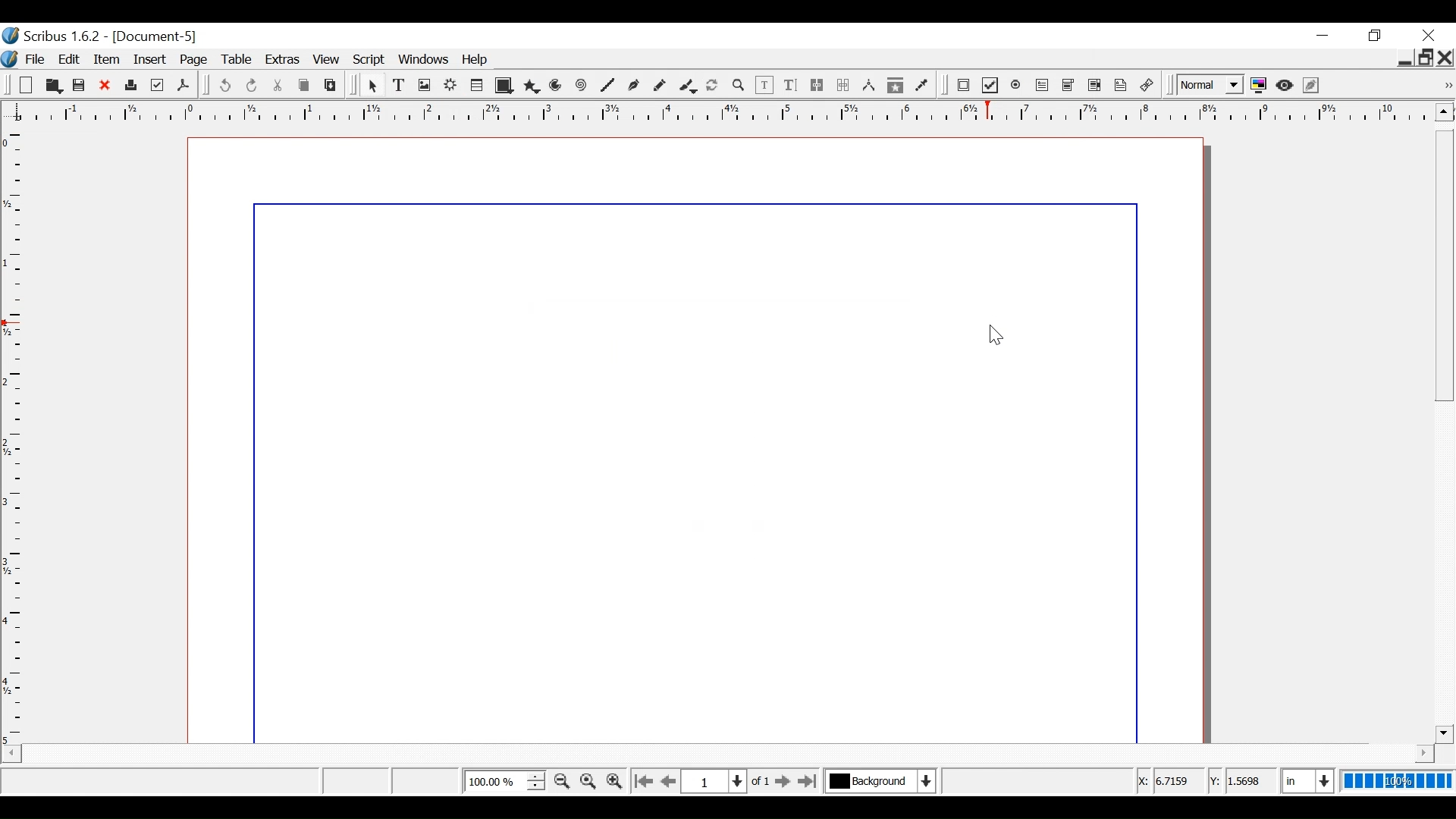  Describe the element at coordinates (108, 59) in the screenshot. I see `Item` at that location.